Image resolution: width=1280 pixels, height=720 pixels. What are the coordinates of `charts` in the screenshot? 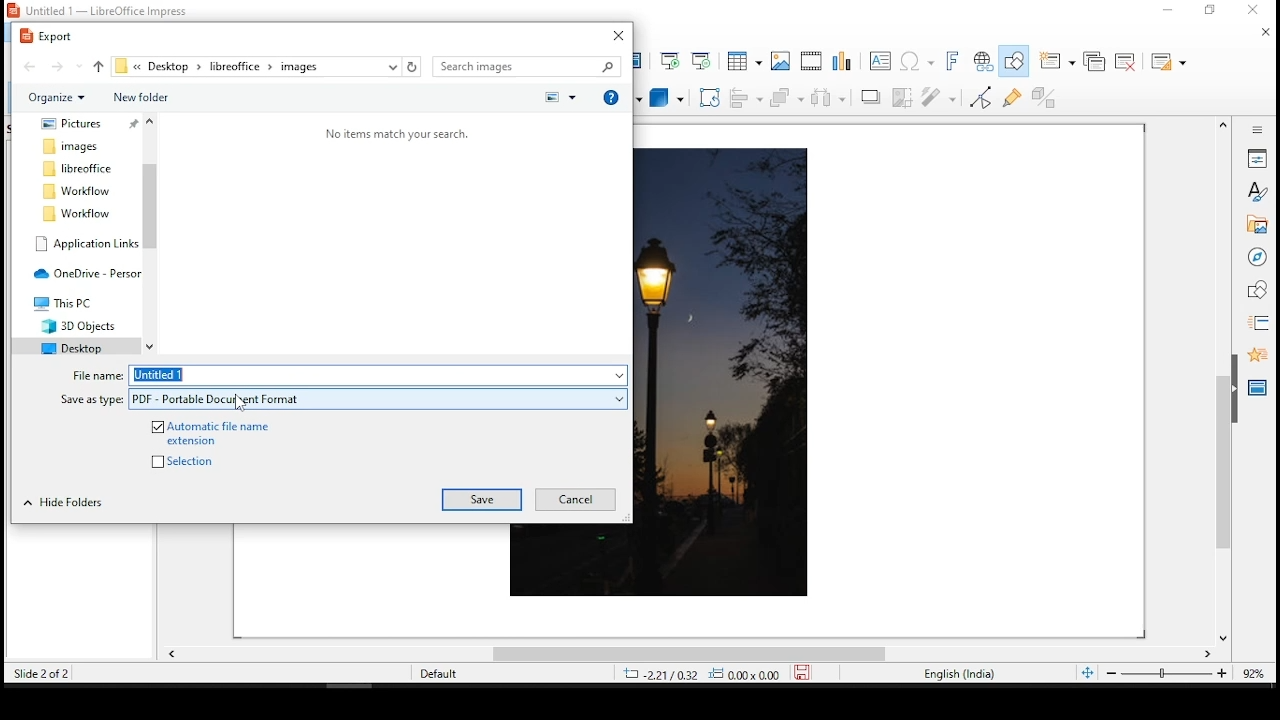 It's located at (847, 60).